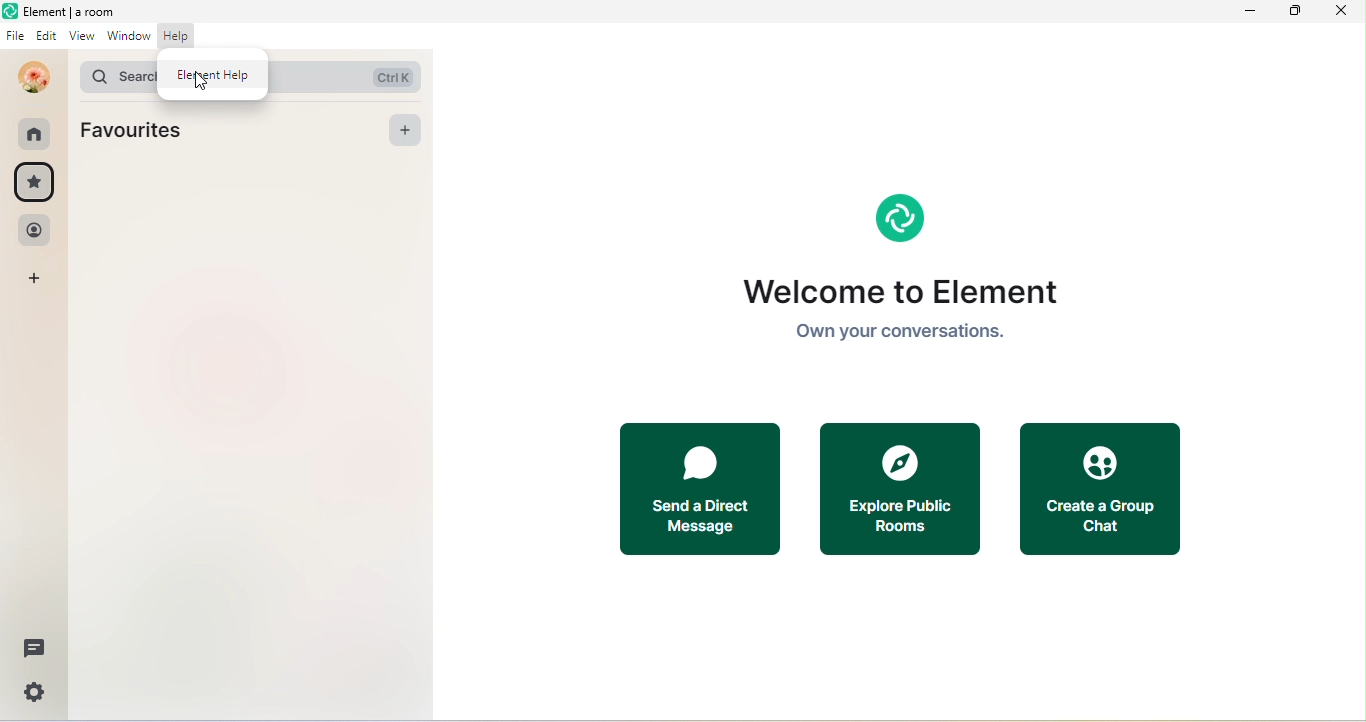  What do you see at coordinates (391, 76) in the screenshot?
I see `CTRL K` at bounding box center [391, 76].